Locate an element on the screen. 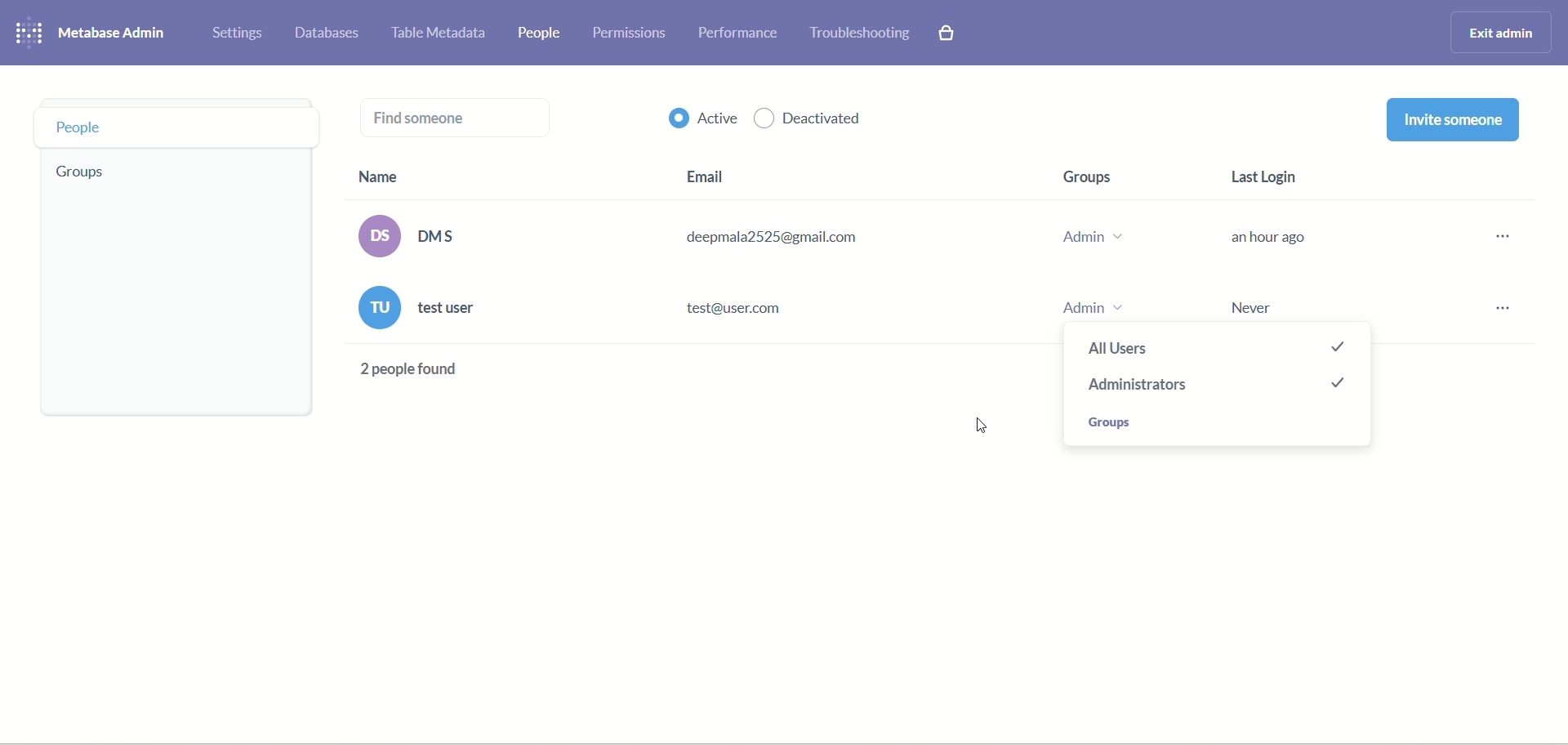 This screenshot has height=745, width=1568. groups is located at coordinates (1106, 422).